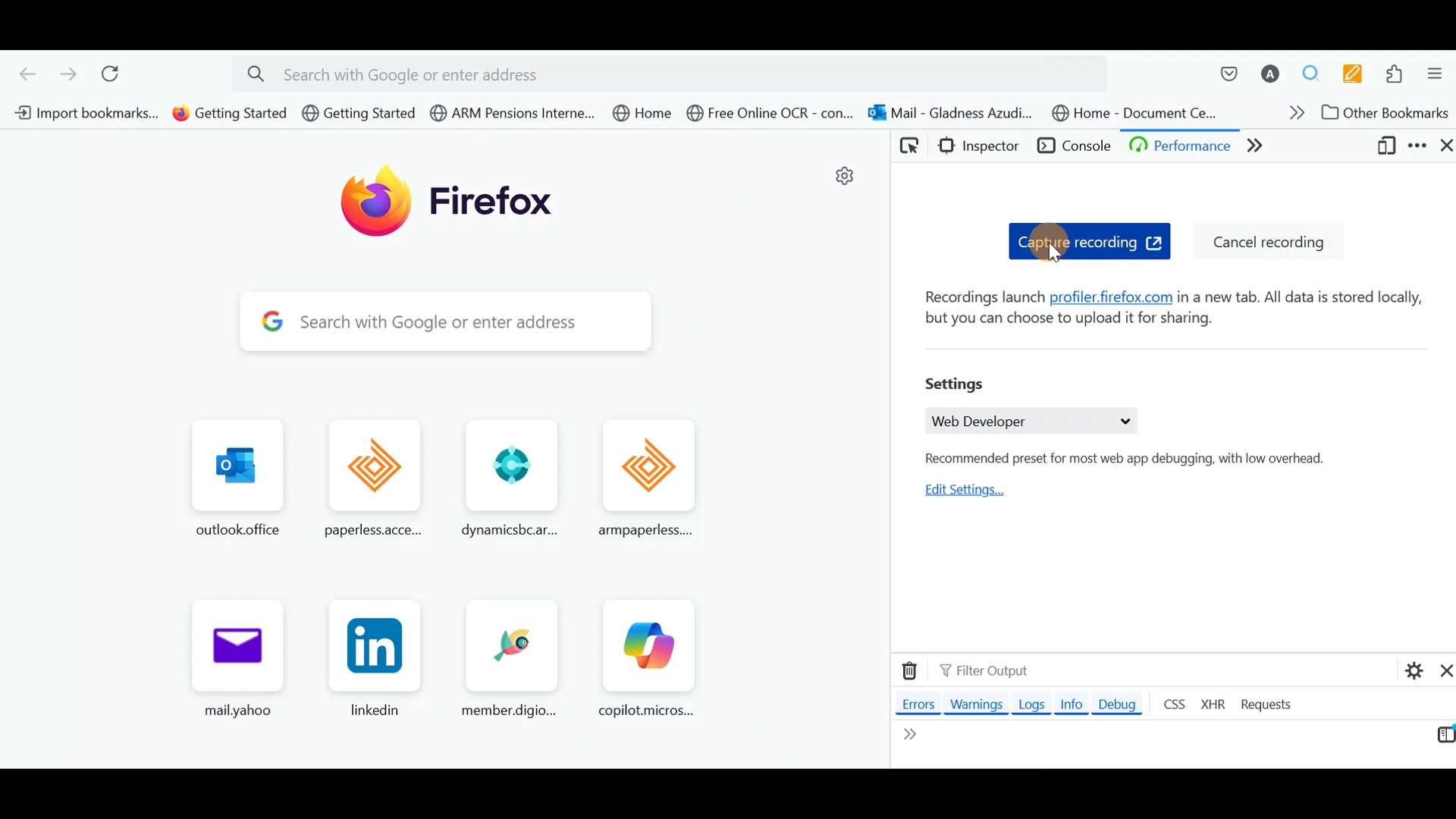  What do you see at coordinates (439, 322) in the screenshot?
I see `Search bar` at bounding box center [439, 322].